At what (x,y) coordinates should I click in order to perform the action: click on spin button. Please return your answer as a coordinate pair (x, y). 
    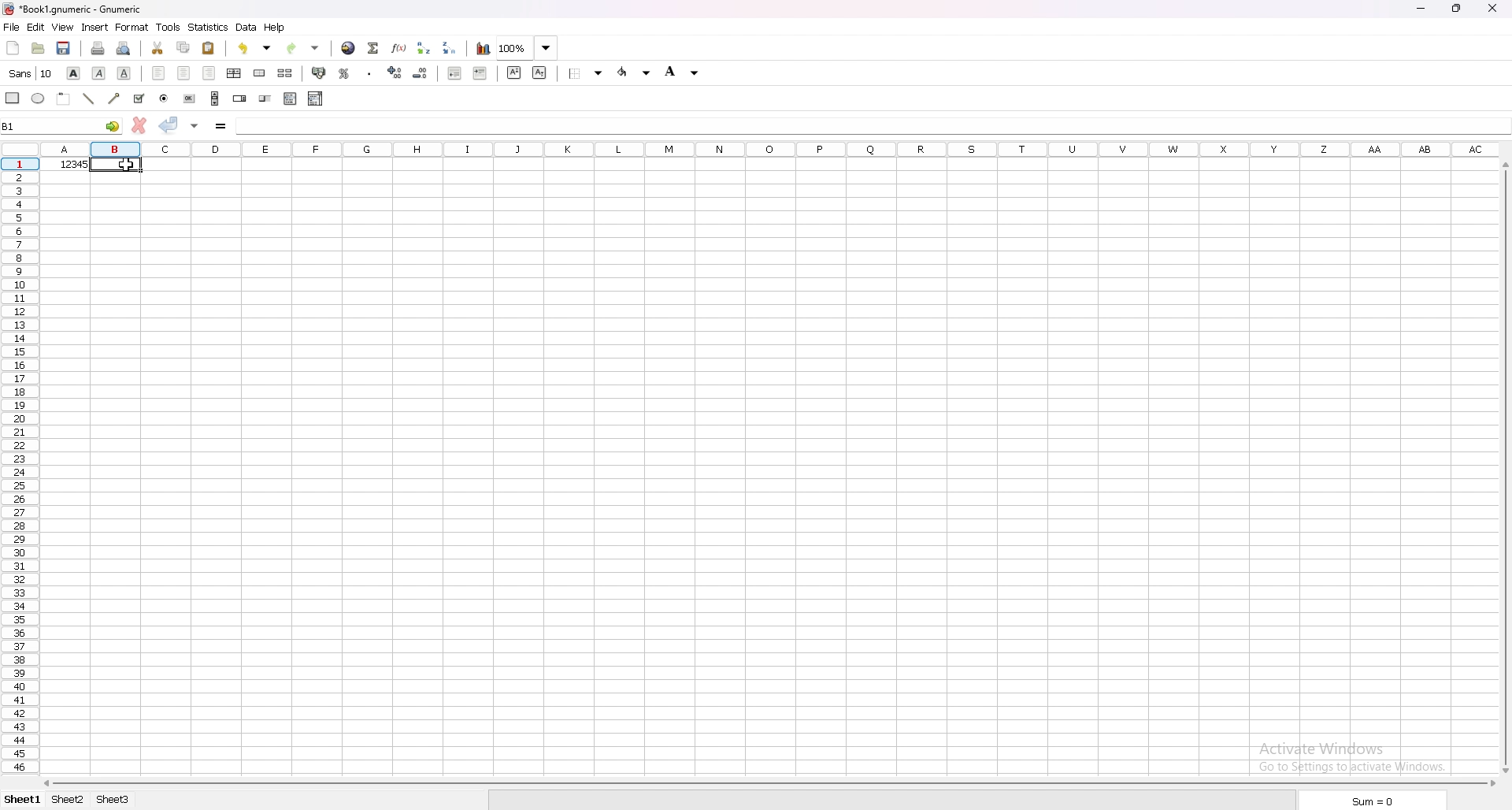
    Looking at the image, I should click on (239, 98).